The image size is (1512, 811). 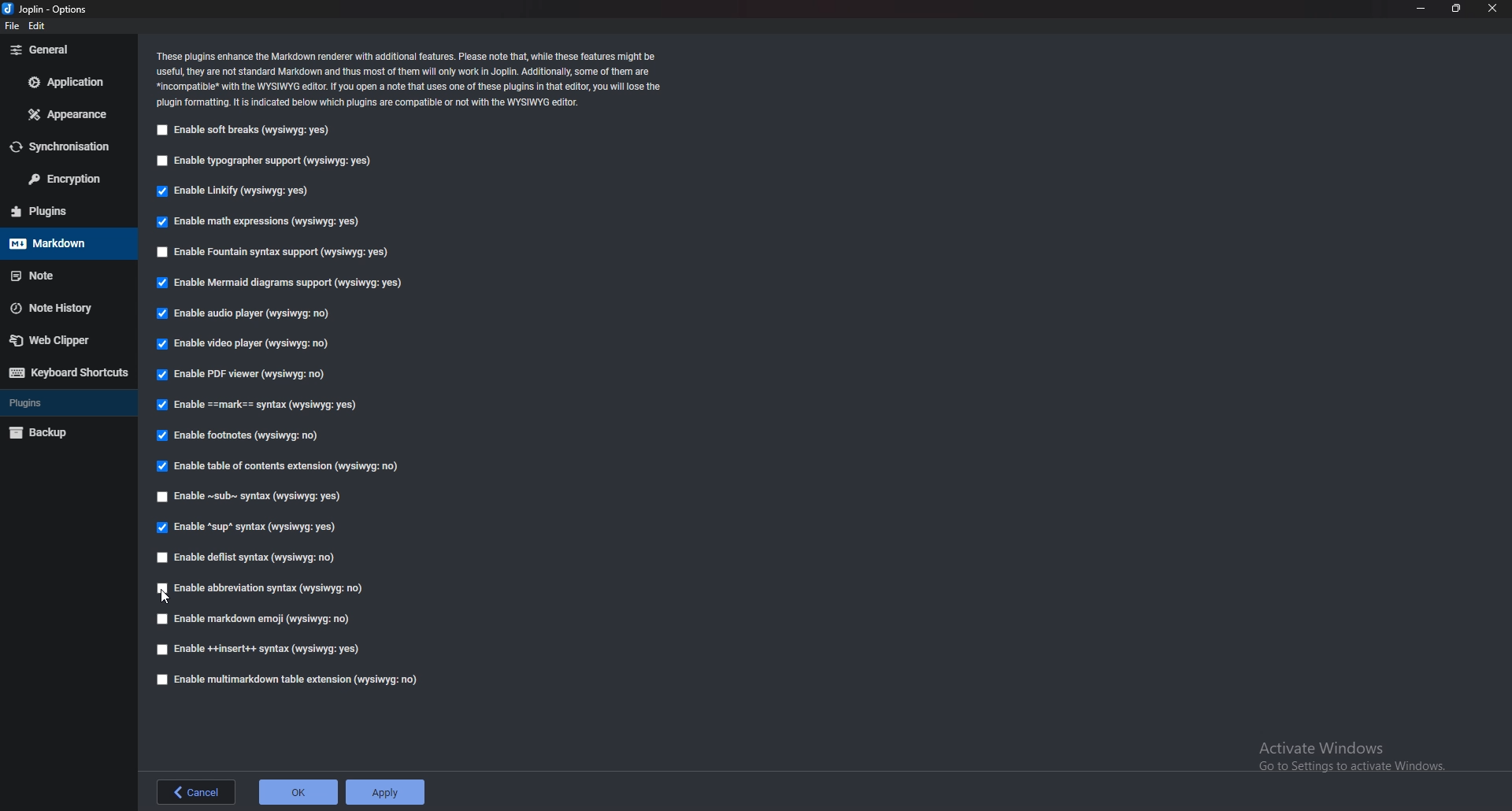 What do you see at coordinates (66, 276) in the screenshot?
I see `note` at bounding box center [66, 276].